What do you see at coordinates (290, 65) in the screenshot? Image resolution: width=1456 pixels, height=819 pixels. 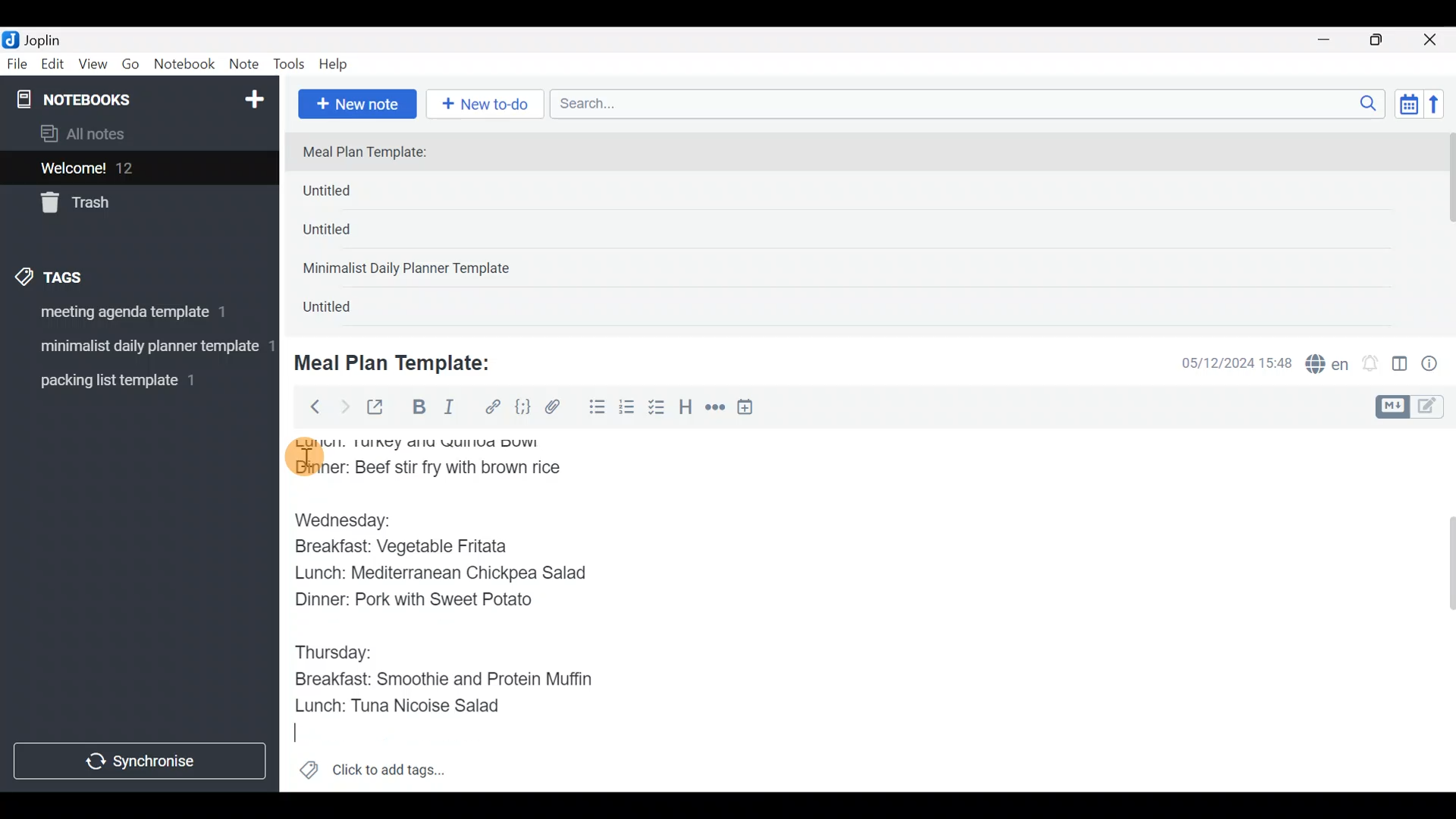 I see `Tools` at bounding box center [290, 65].